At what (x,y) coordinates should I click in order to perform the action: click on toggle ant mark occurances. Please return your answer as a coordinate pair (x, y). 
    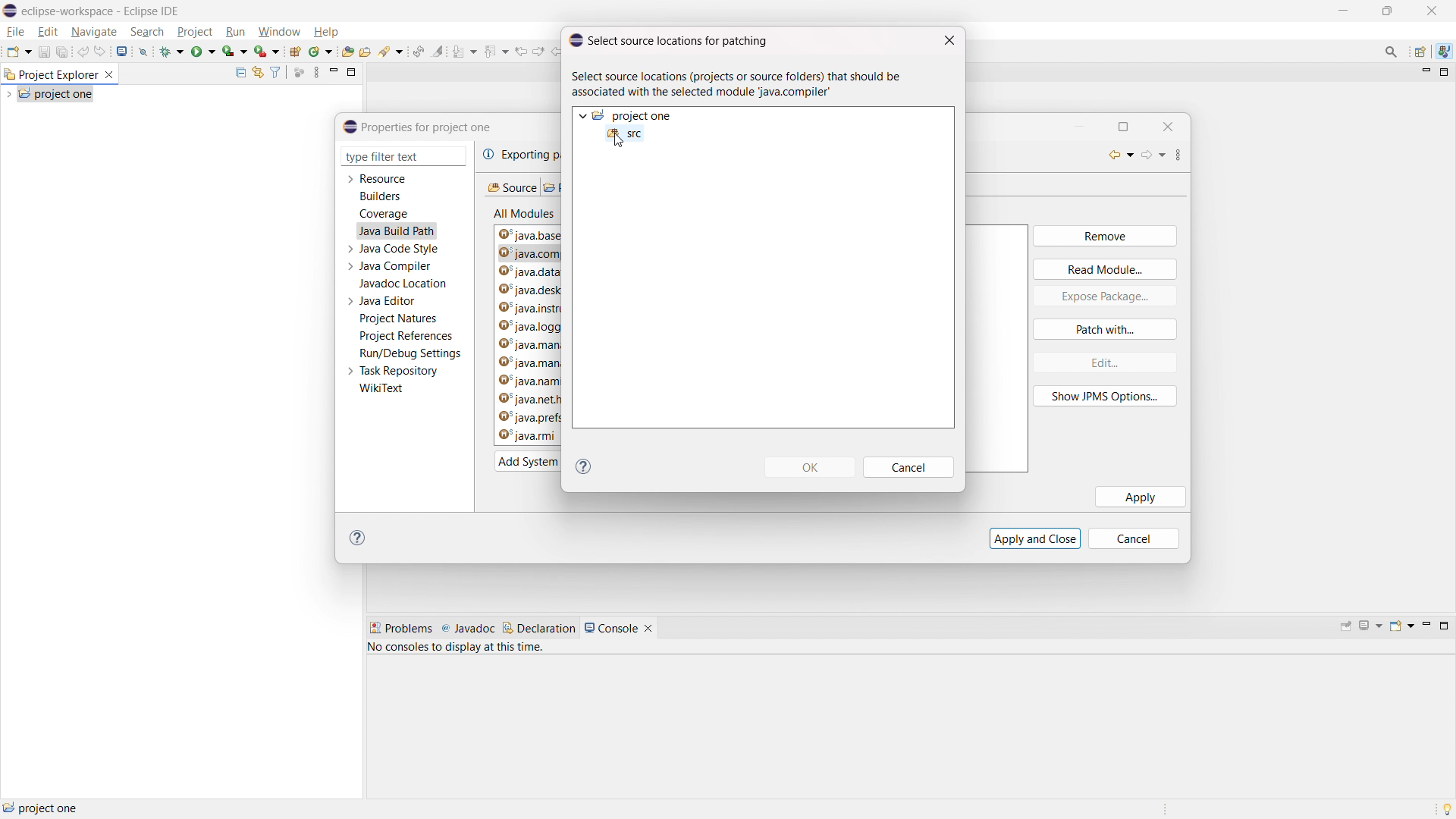
    Looking at the image, I should click on (438, 51).